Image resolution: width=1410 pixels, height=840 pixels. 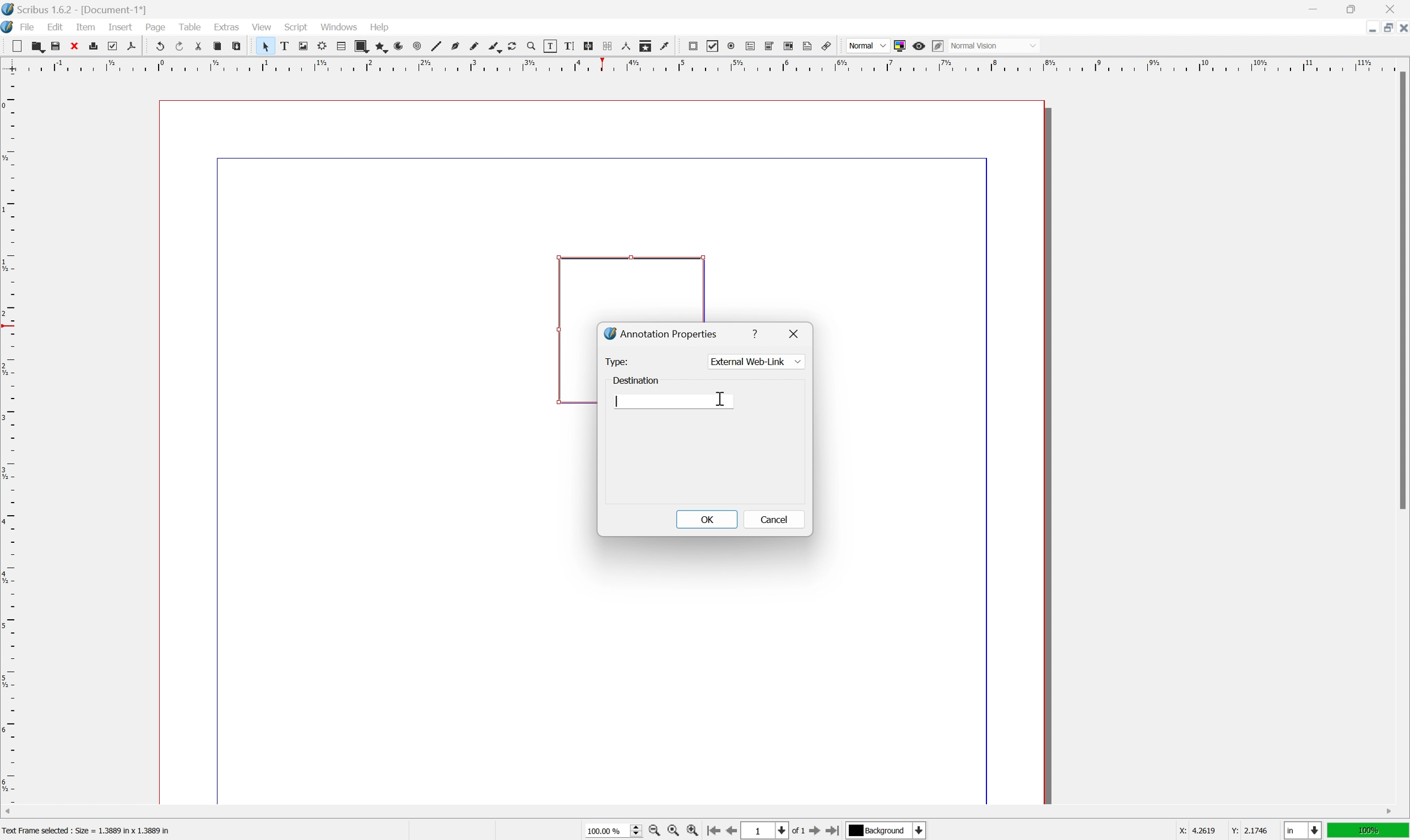 I want to click on redo, so click(x=179, y=45).